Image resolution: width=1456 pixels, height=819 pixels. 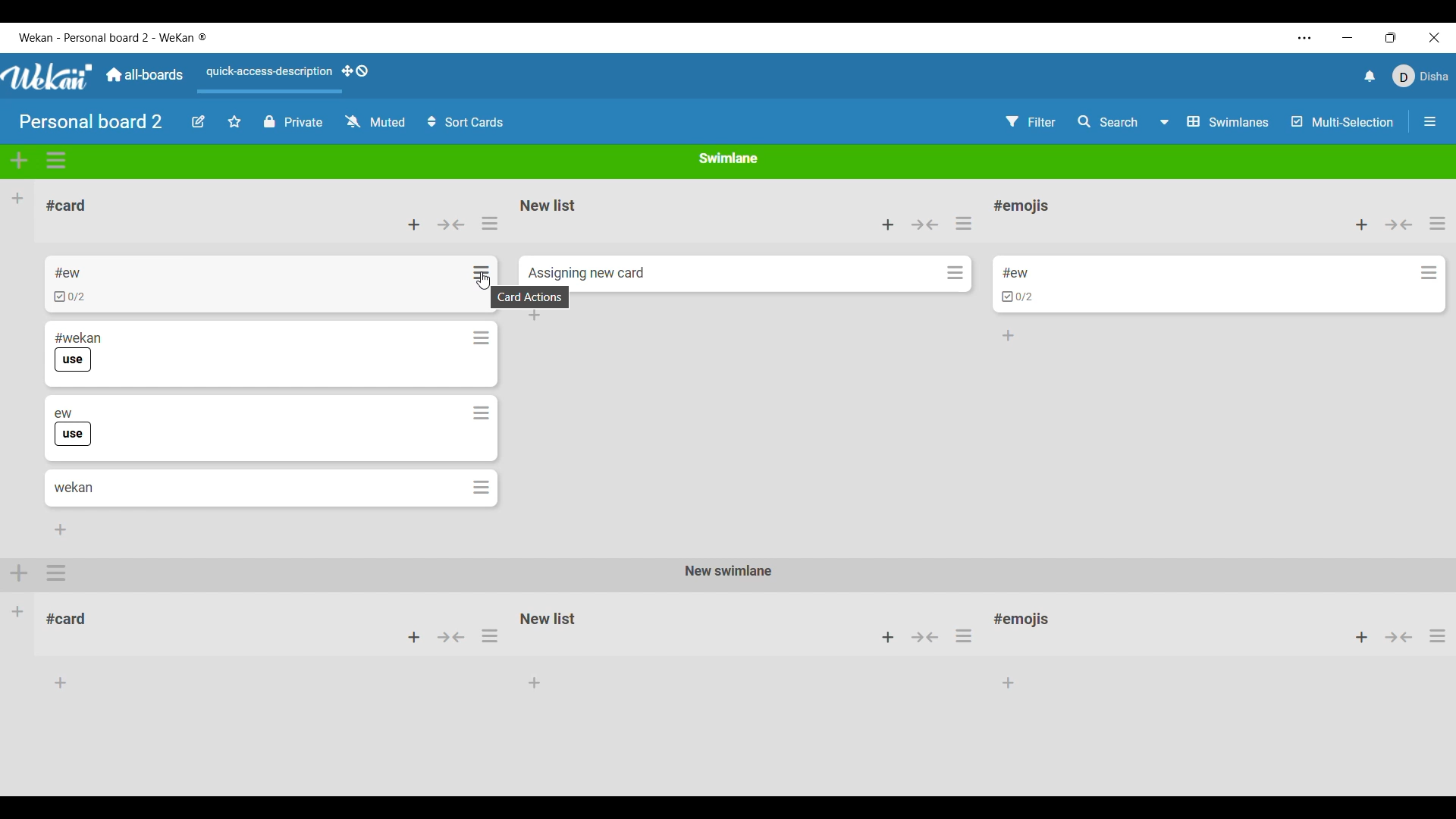 What do you see at coordinates (1305, 38) in the screenshot?
I see `More settings` at bounding box center [1305, 38].